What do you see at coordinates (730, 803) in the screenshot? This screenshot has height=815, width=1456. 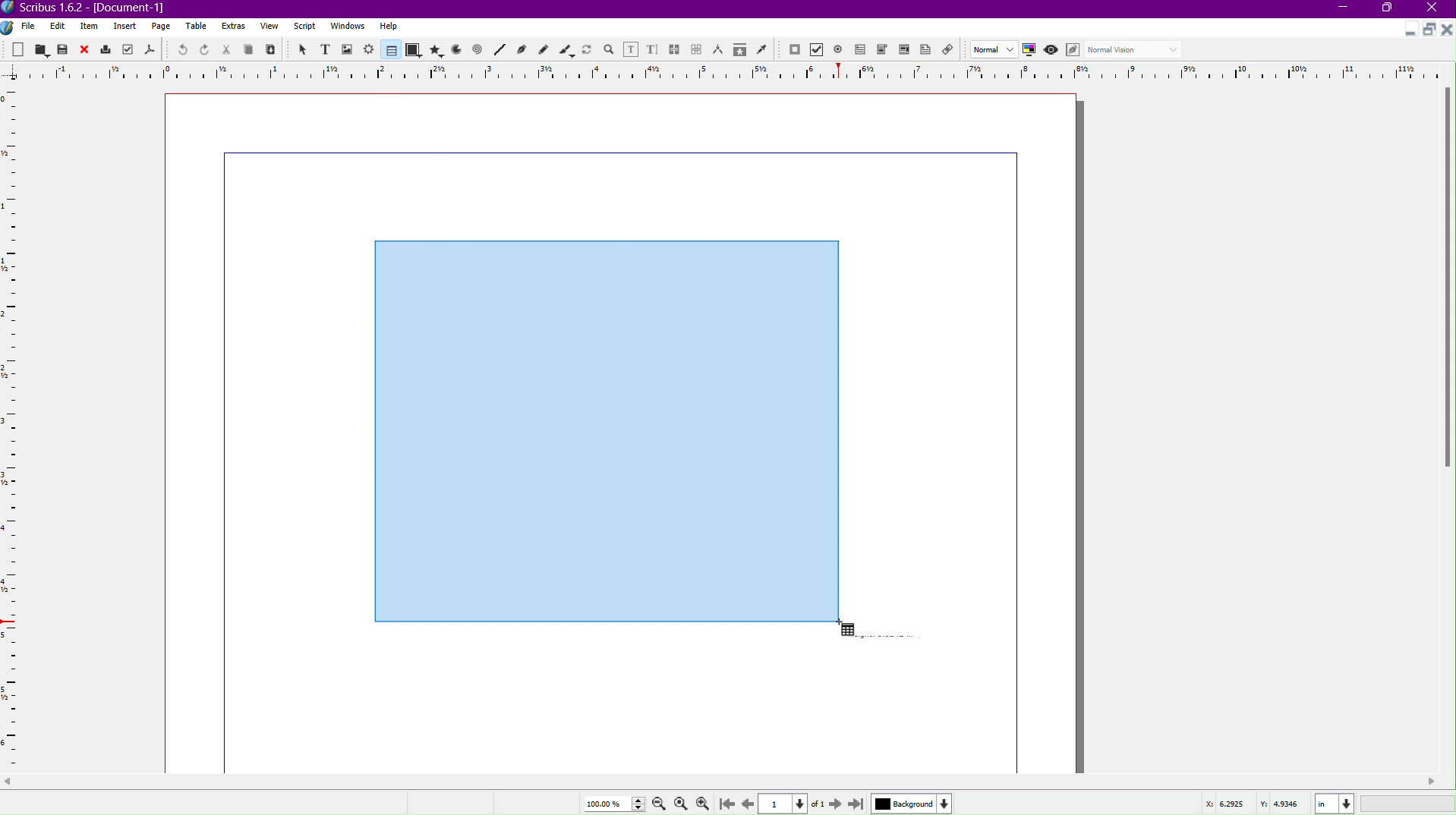 I see `Go to First Page` at bounding box center [730, 803].